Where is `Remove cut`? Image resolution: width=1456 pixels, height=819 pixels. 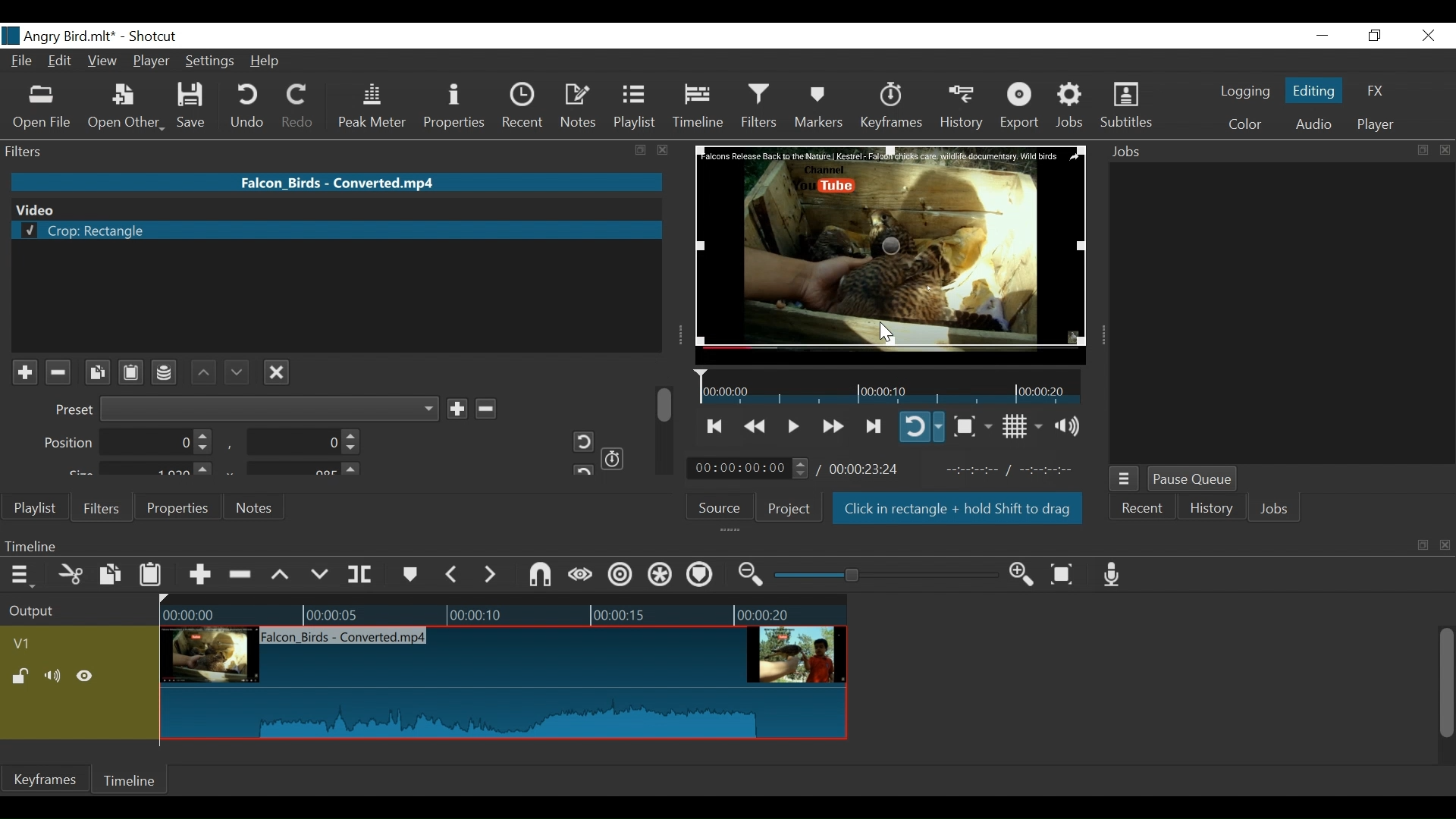
Remove cut is located at coordinates (242, 576).